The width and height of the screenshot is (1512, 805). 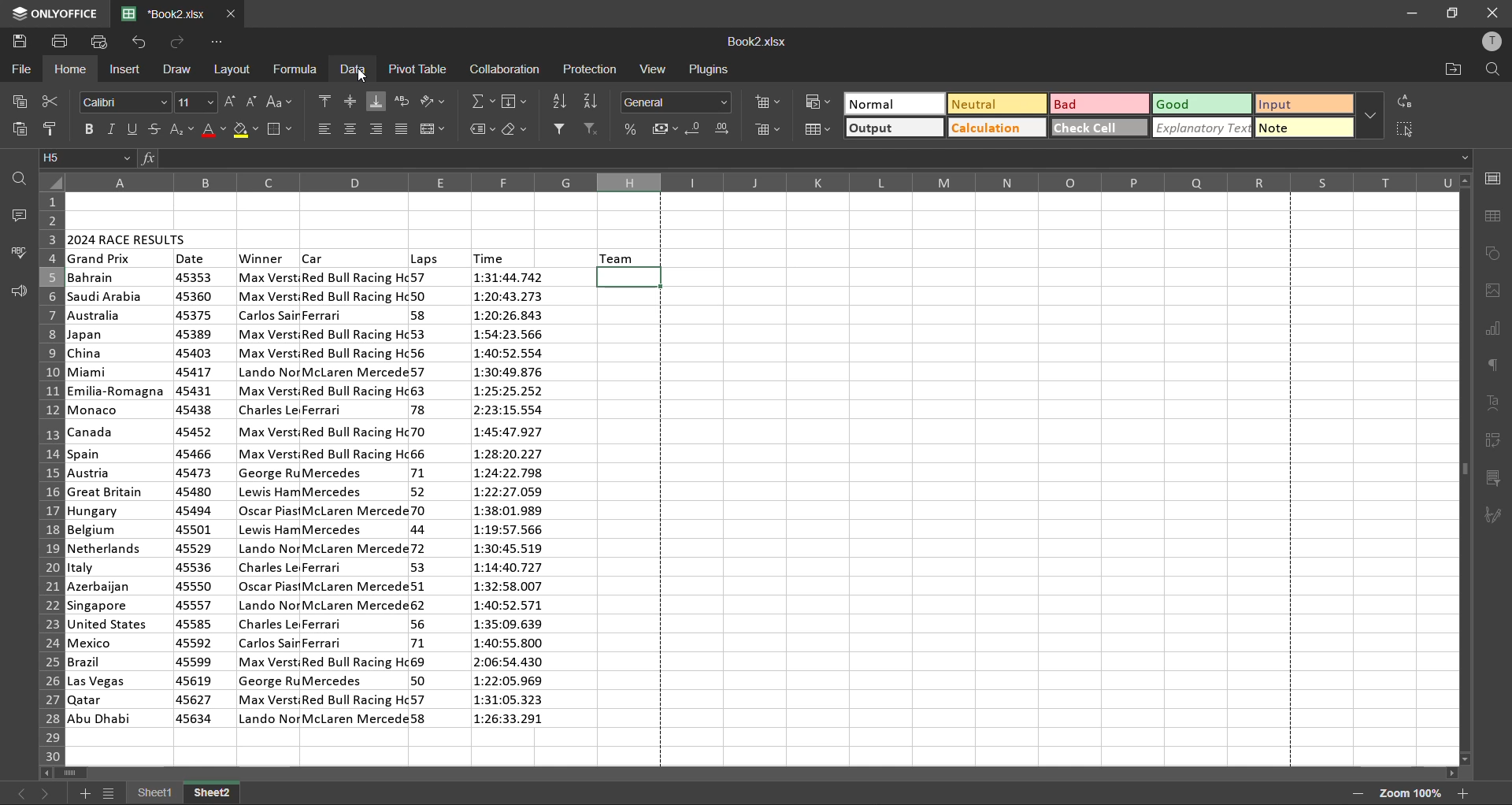 What do you see at coordinates (480, 129) in the screenshot?
I see `named ranges` at bounding box center [480, 129].